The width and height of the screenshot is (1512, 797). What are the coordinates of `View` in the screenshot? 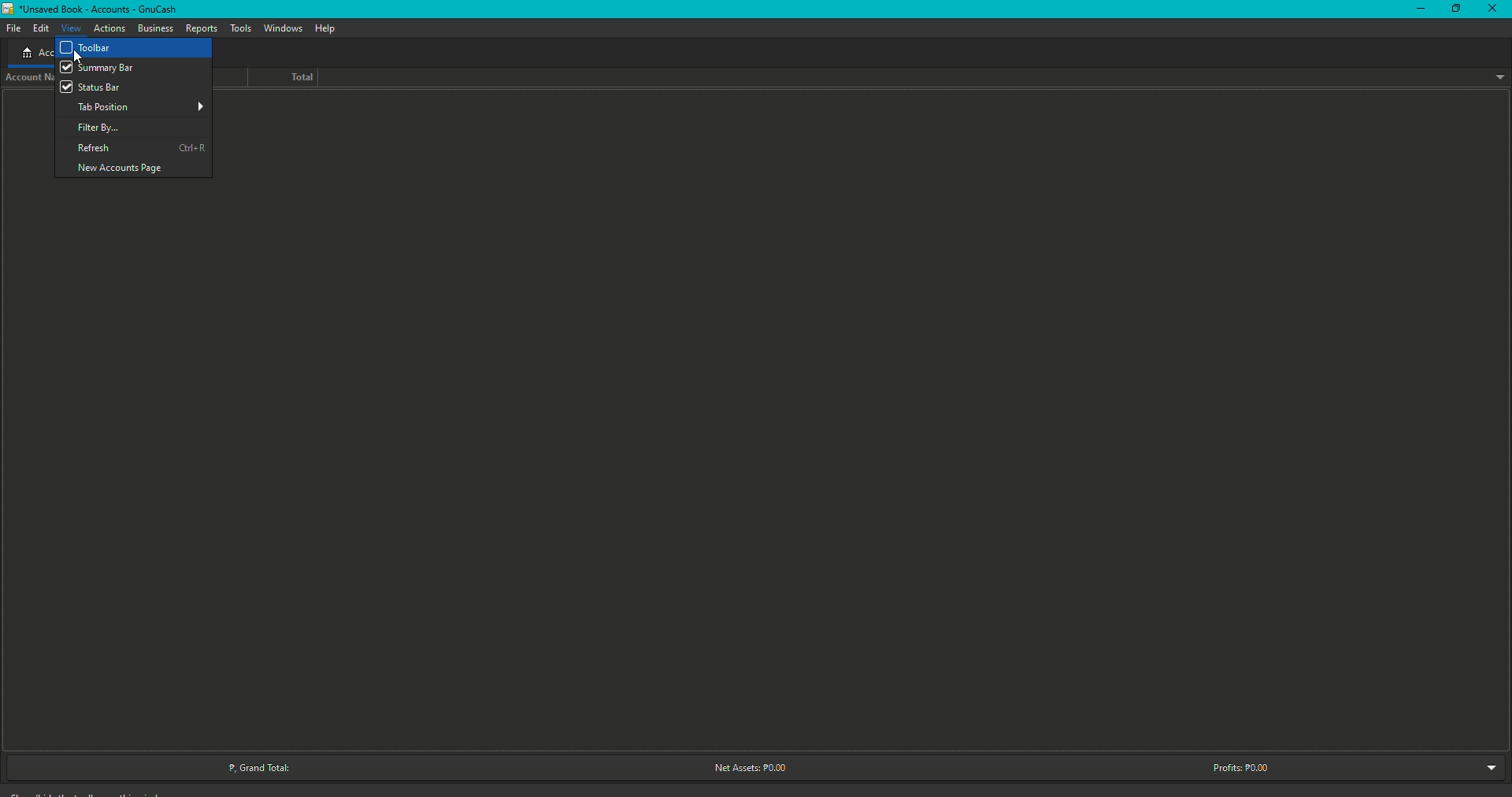 It's located at (73, 28).